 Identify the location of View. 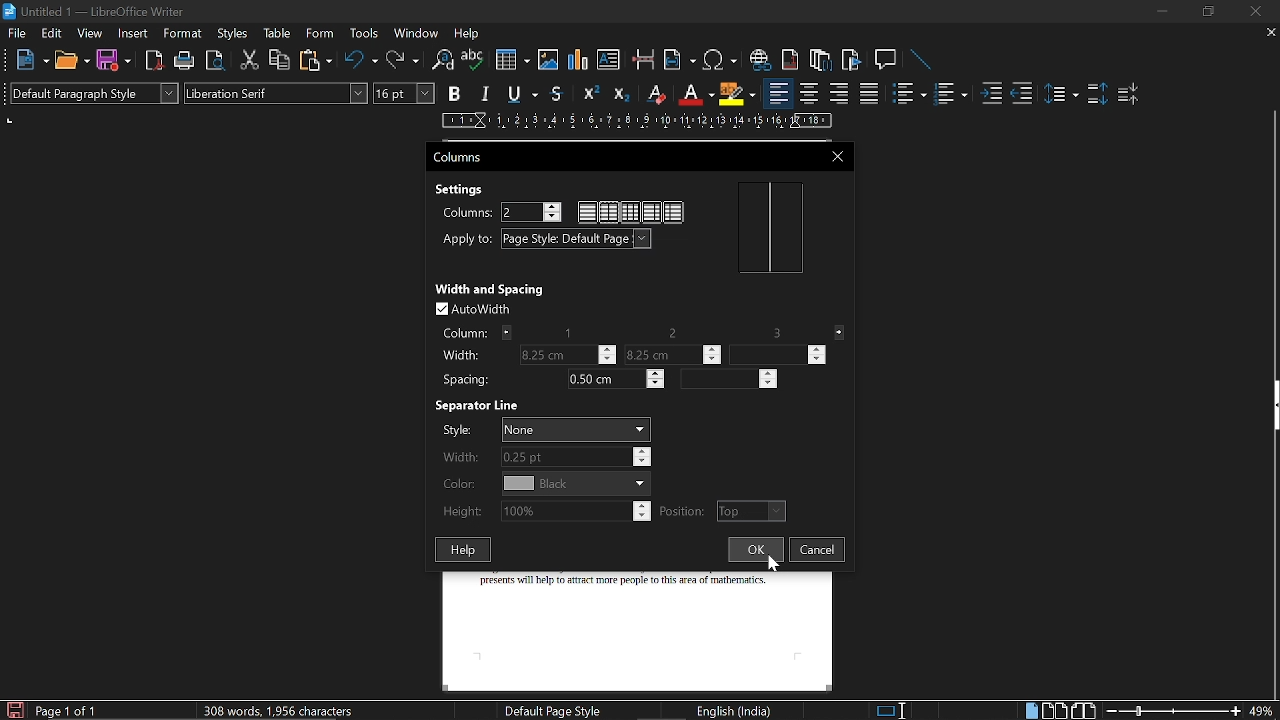
(88, 34).